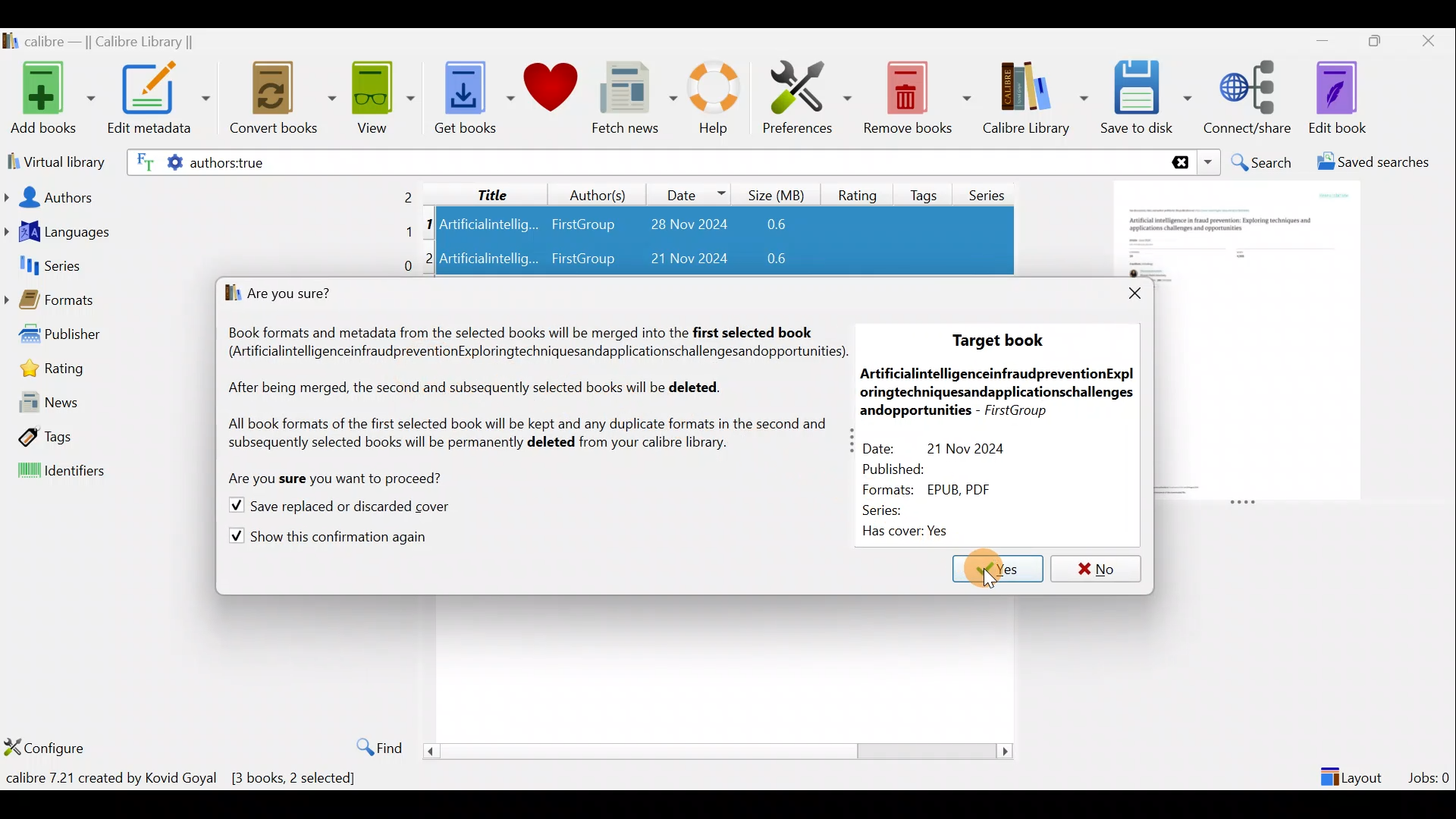  What do you see at coordinates (289, 296) in the screenshot?
I see `Are you sure?` at bounding box center [289, 296].